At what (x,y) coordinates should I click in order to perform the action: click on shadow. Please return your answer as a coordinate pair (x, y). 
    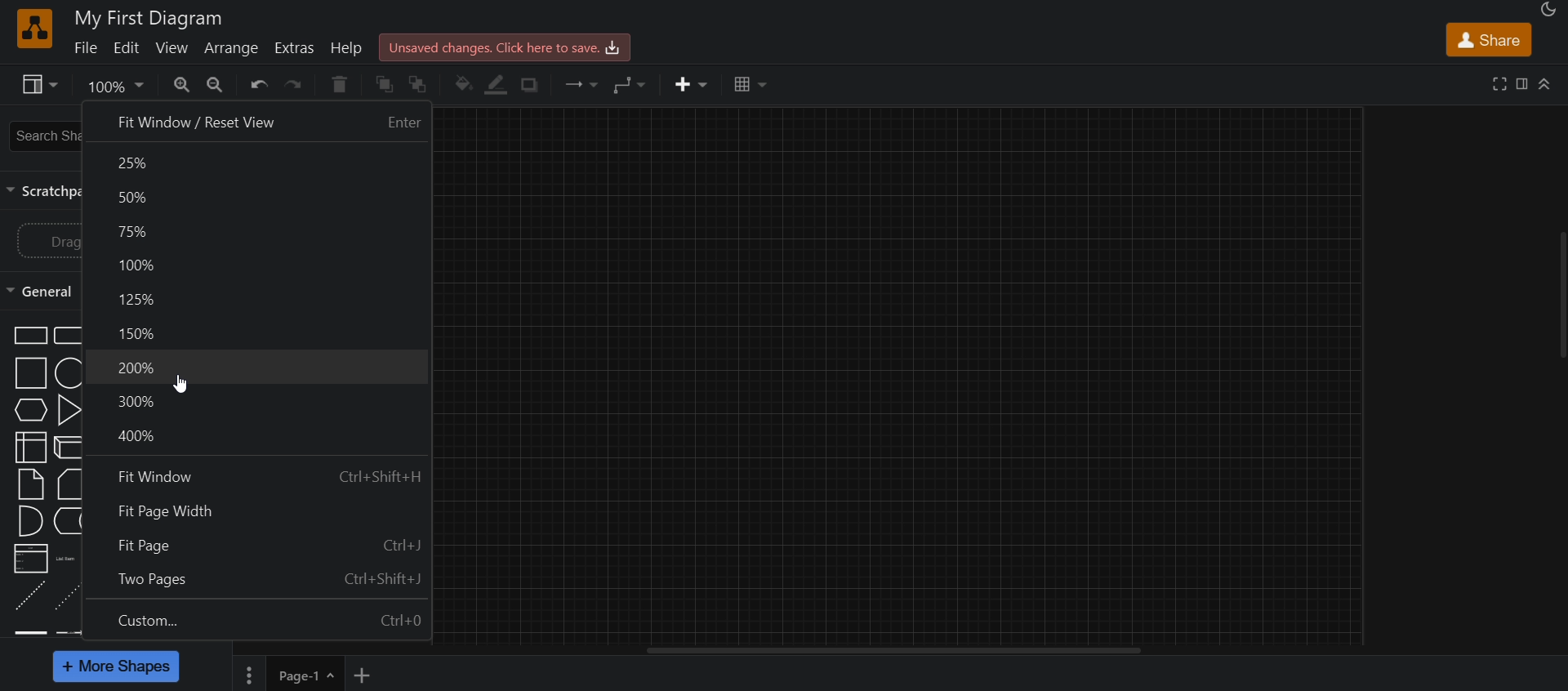
    Looking at the image, I should click on (542, 84).